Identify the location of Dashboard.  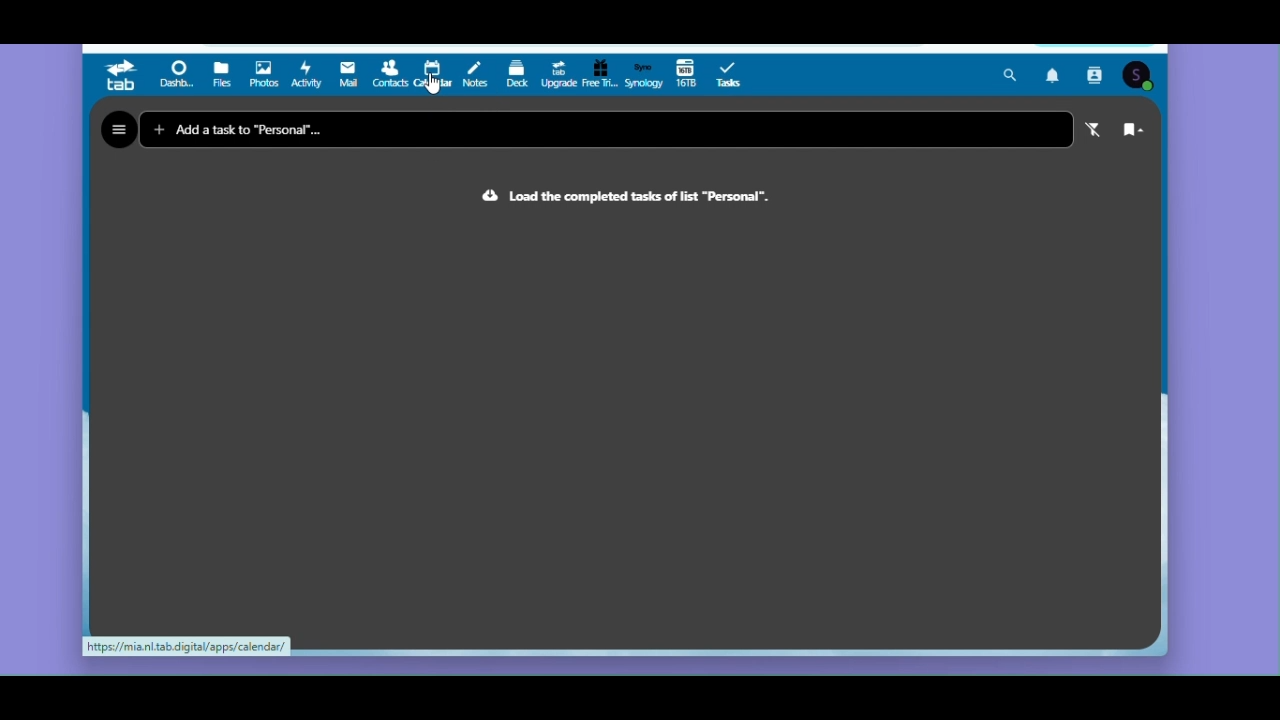
(179, 76).